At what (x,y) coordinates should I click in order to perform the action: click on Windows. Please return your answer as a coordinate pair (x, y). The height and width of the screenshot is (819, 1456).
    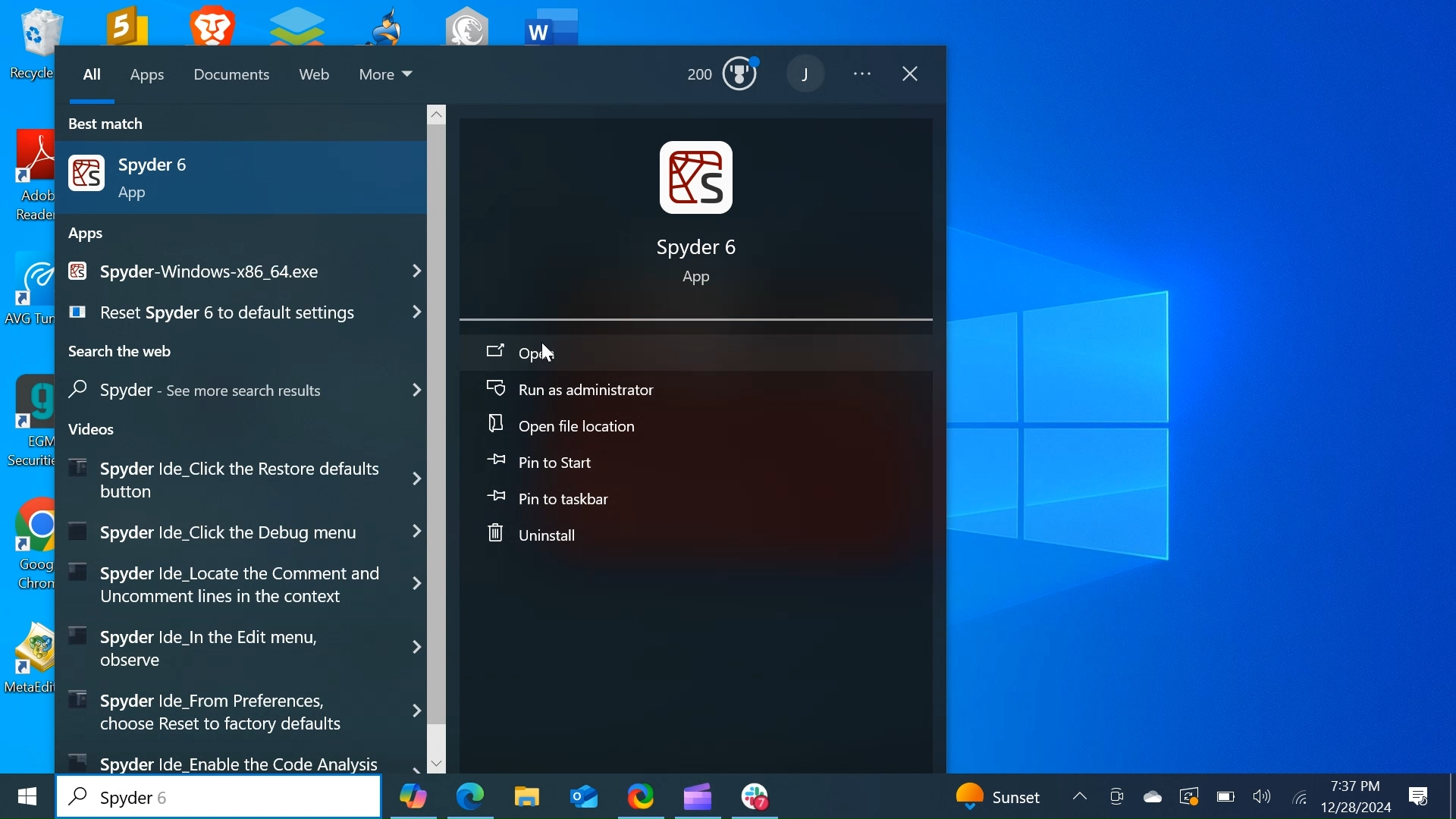
    Looking at the image, I should click on (25, 800).